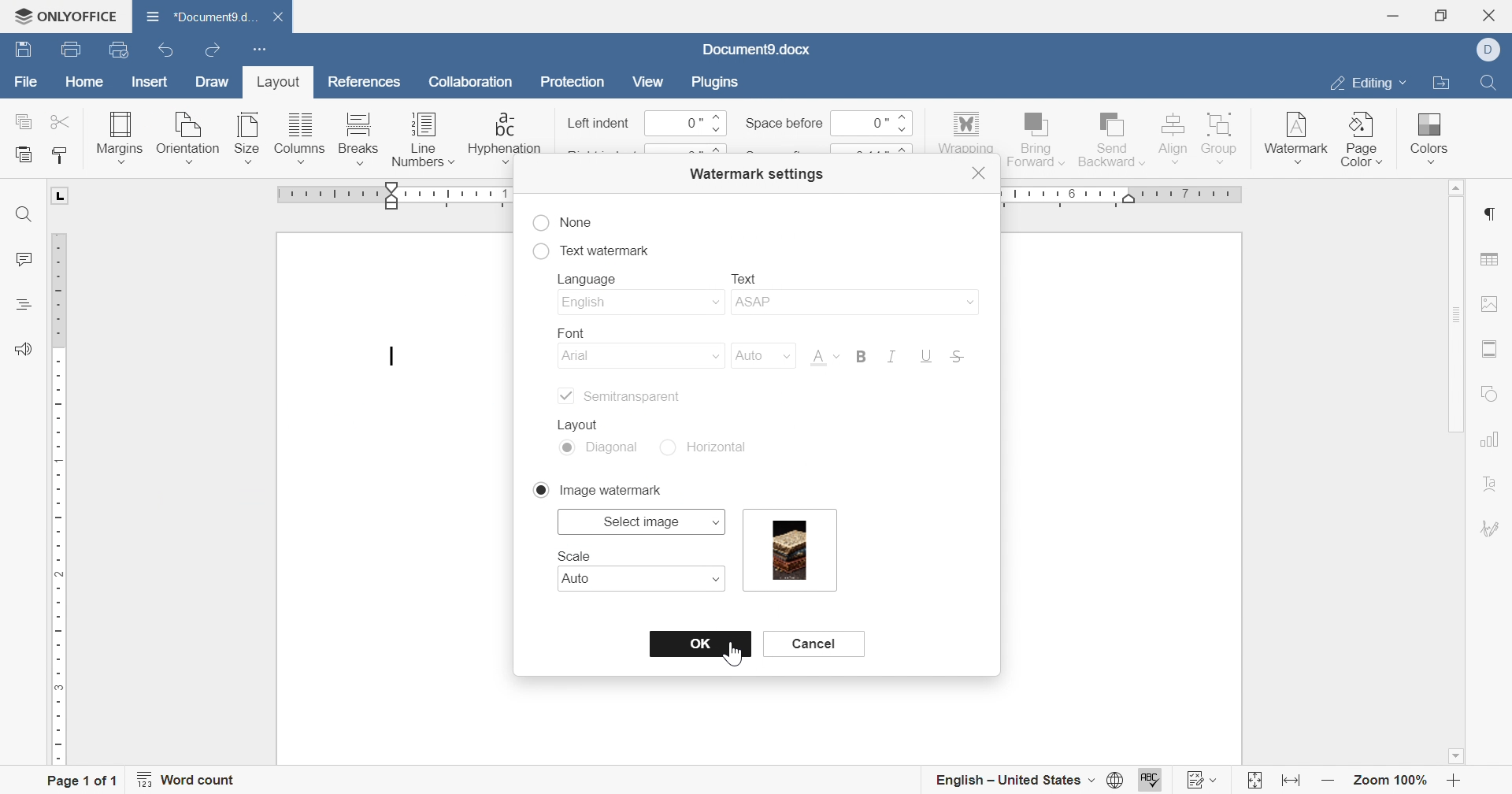  Describe the element at coordinates (1492, 529) in the screenshot. I see `signature settings` at that location.